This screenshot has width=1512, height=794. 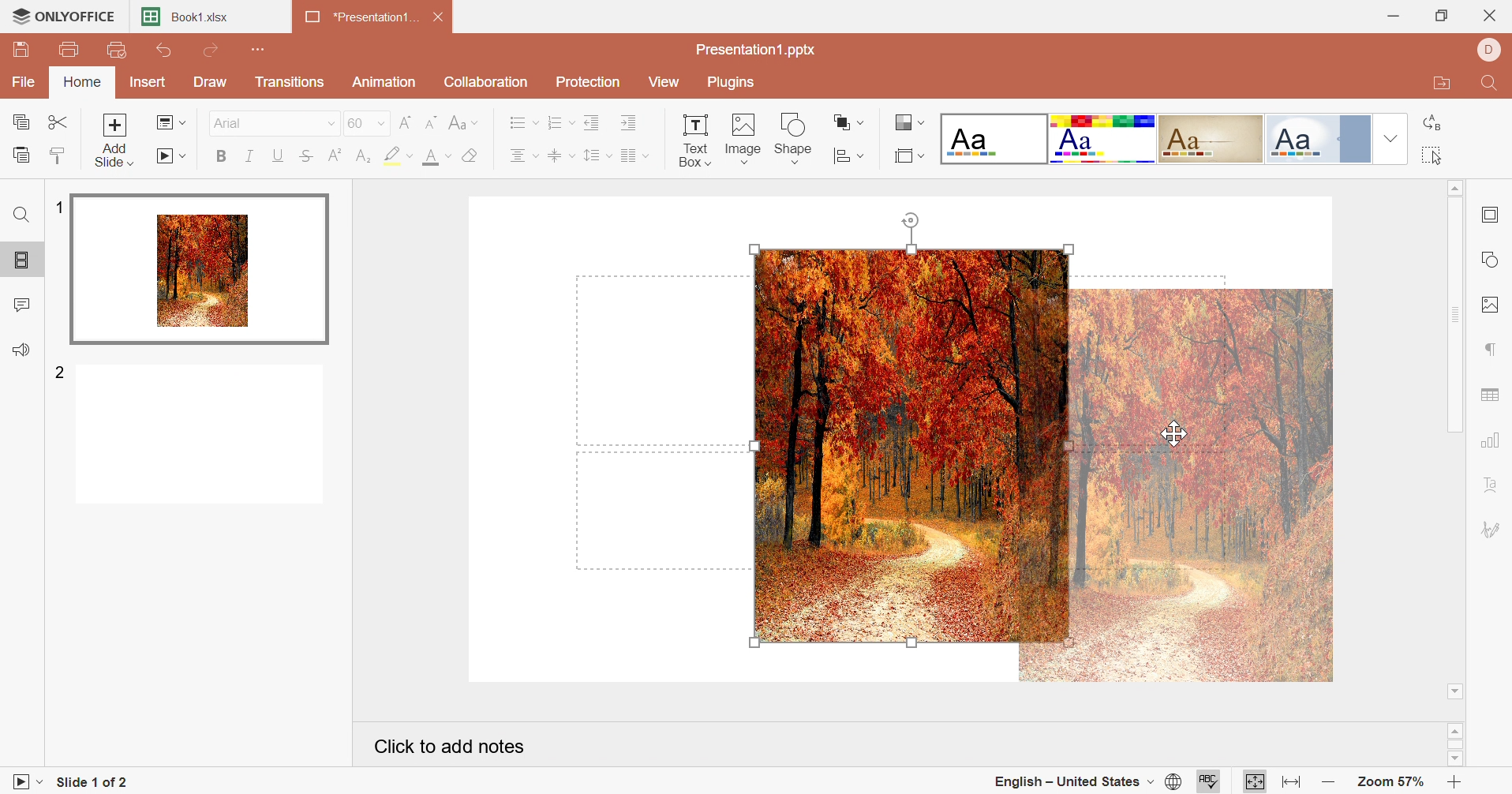 What do you see at coordinates (219, 159) in the screenshot?
I see `Bold` at bounding box center [219, 159].